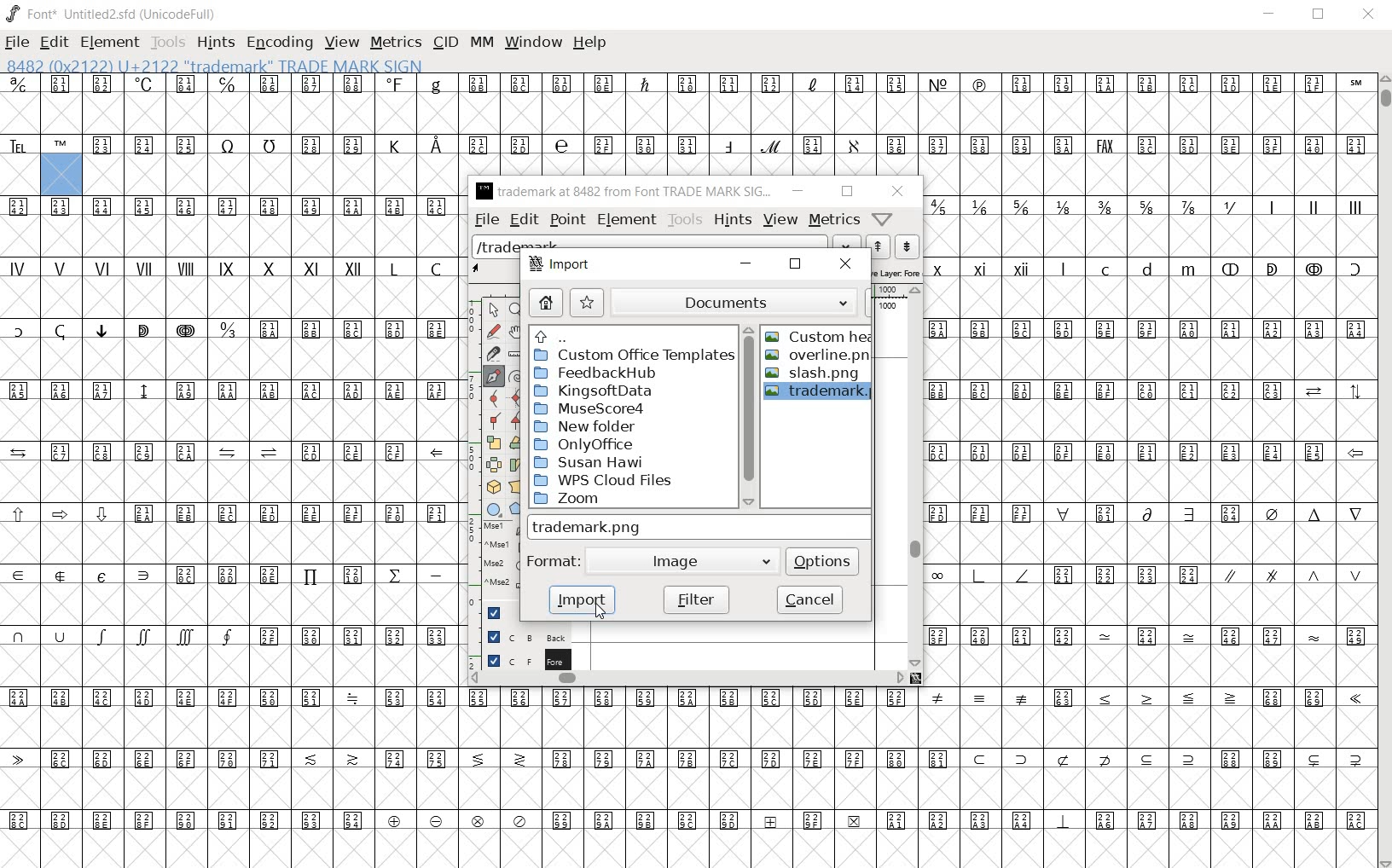 The image size is (1392, 868). I want to click on symbols, so click(687, 124).